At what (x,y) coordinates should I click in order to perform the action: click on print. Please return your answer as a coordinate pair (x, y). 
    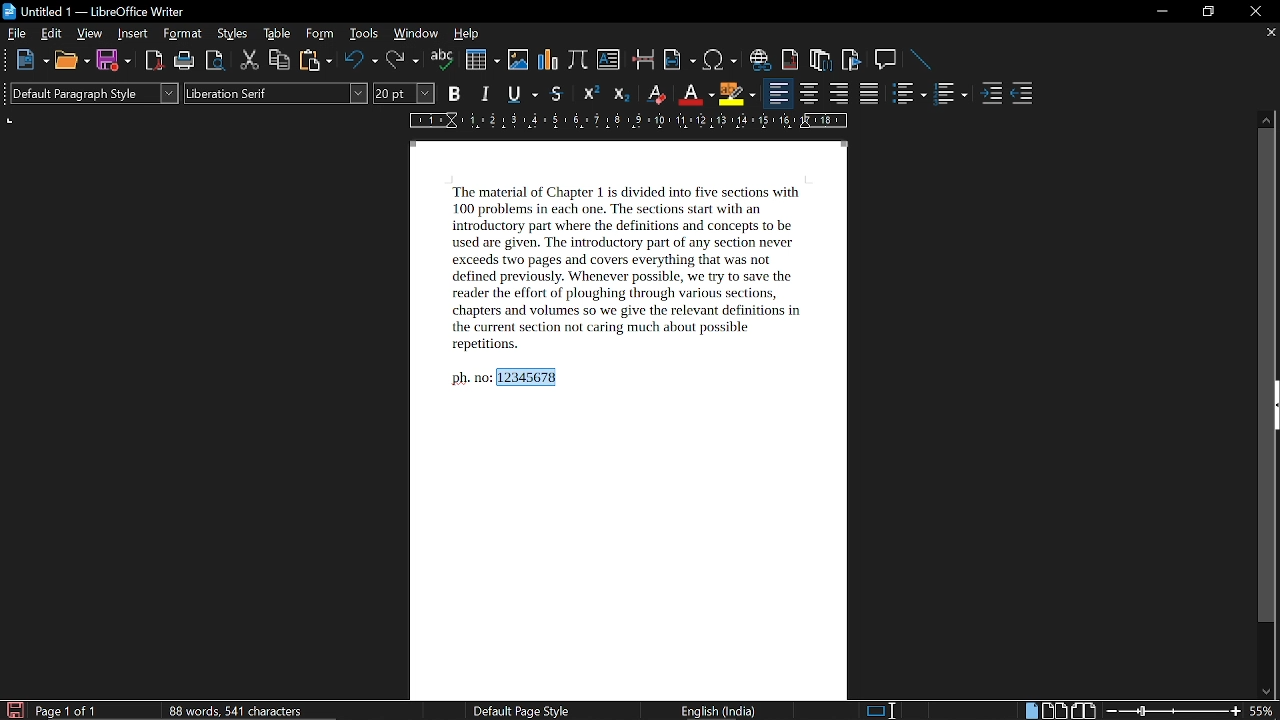
    Looking at the image, I should click on (182, 61).